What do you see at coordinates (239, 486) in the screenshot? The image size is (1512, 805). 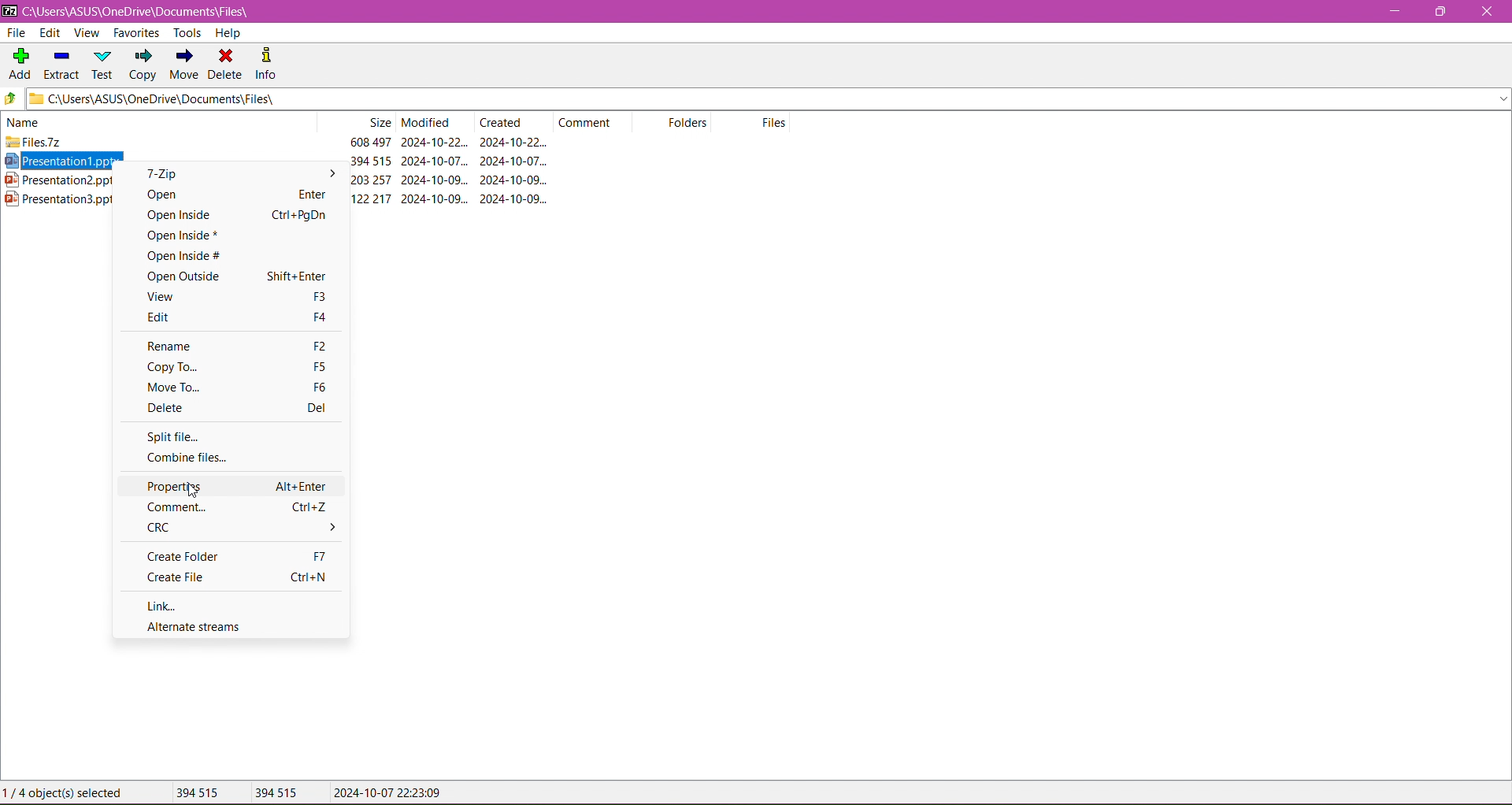 I see `Properties` at bounding box center [239, 486].